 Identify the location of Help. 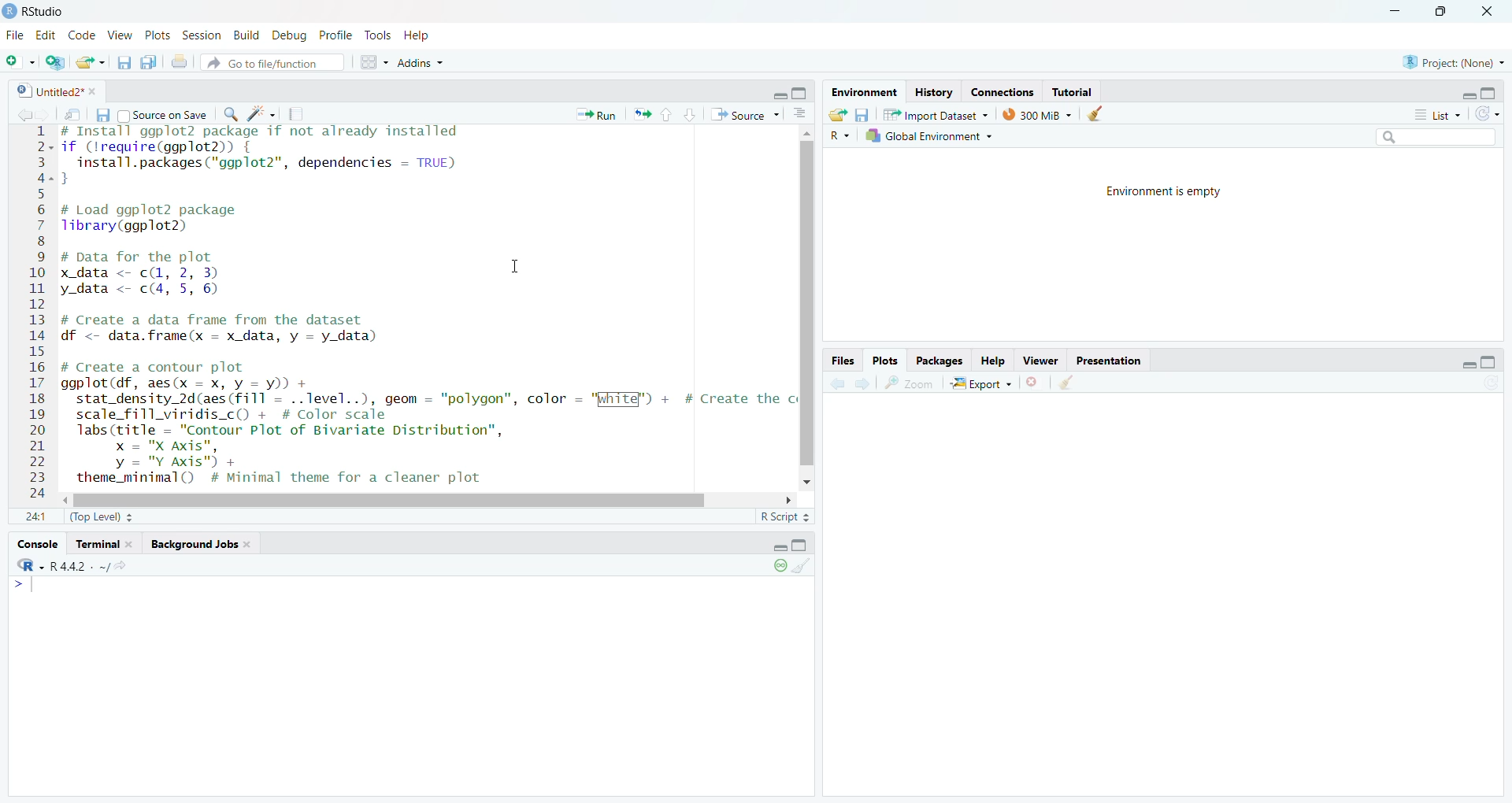
(419, 37).